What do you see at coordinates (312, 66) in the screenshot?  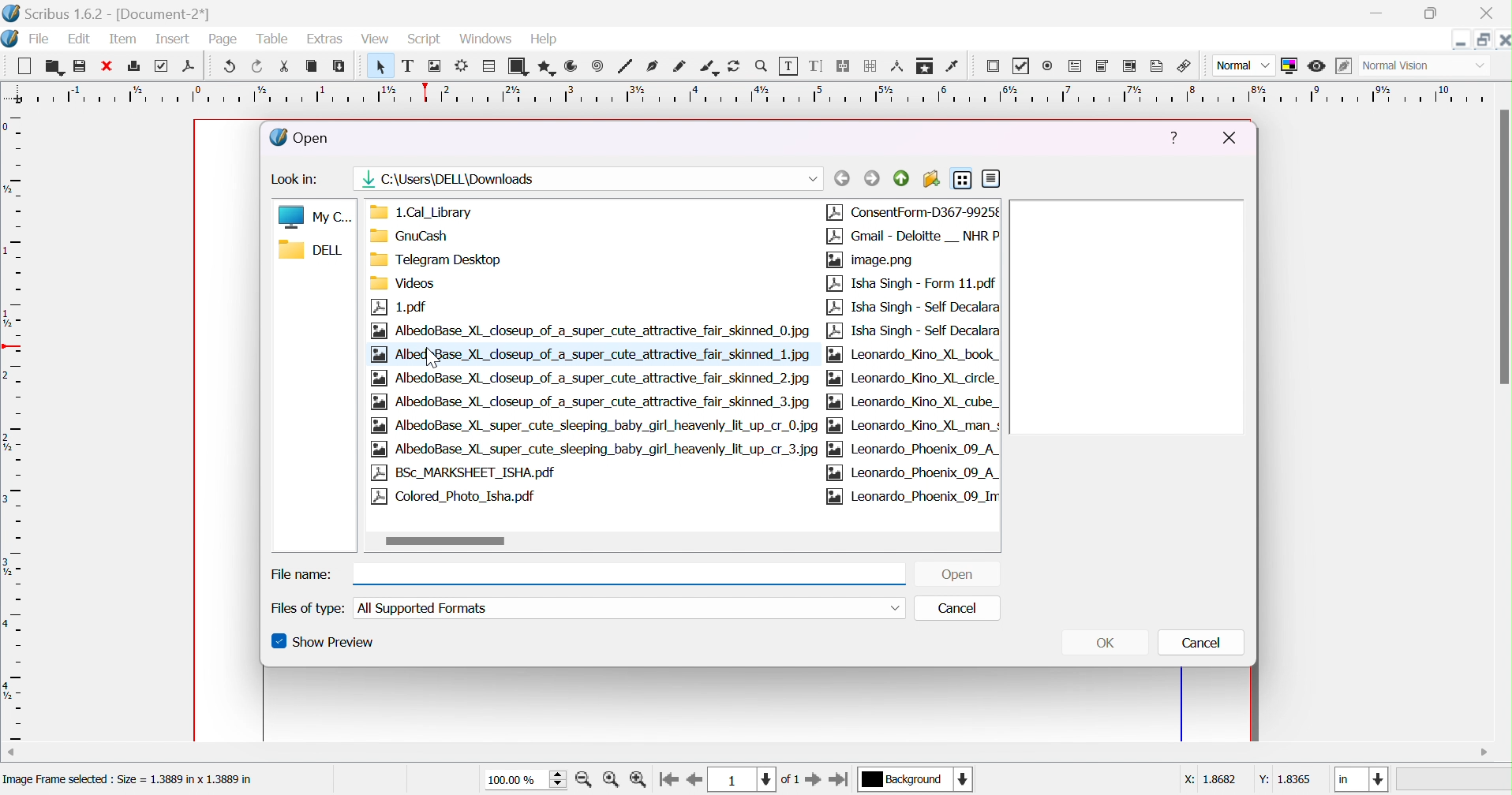 I see `copy` at bounding box center [312, 66].